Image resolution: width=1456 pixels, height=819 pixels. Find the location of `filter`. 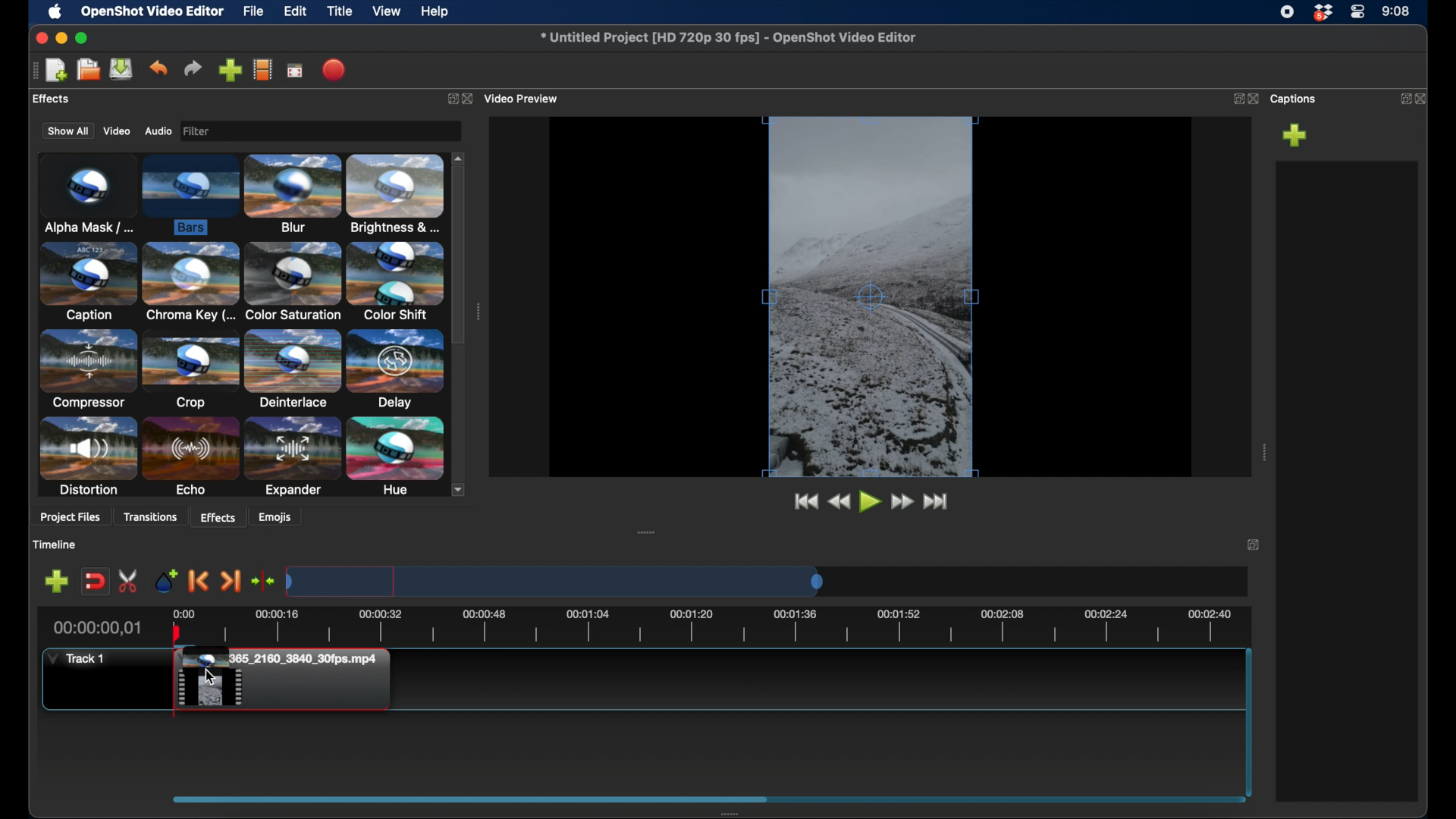

filter is located at coordinates (241, 130).